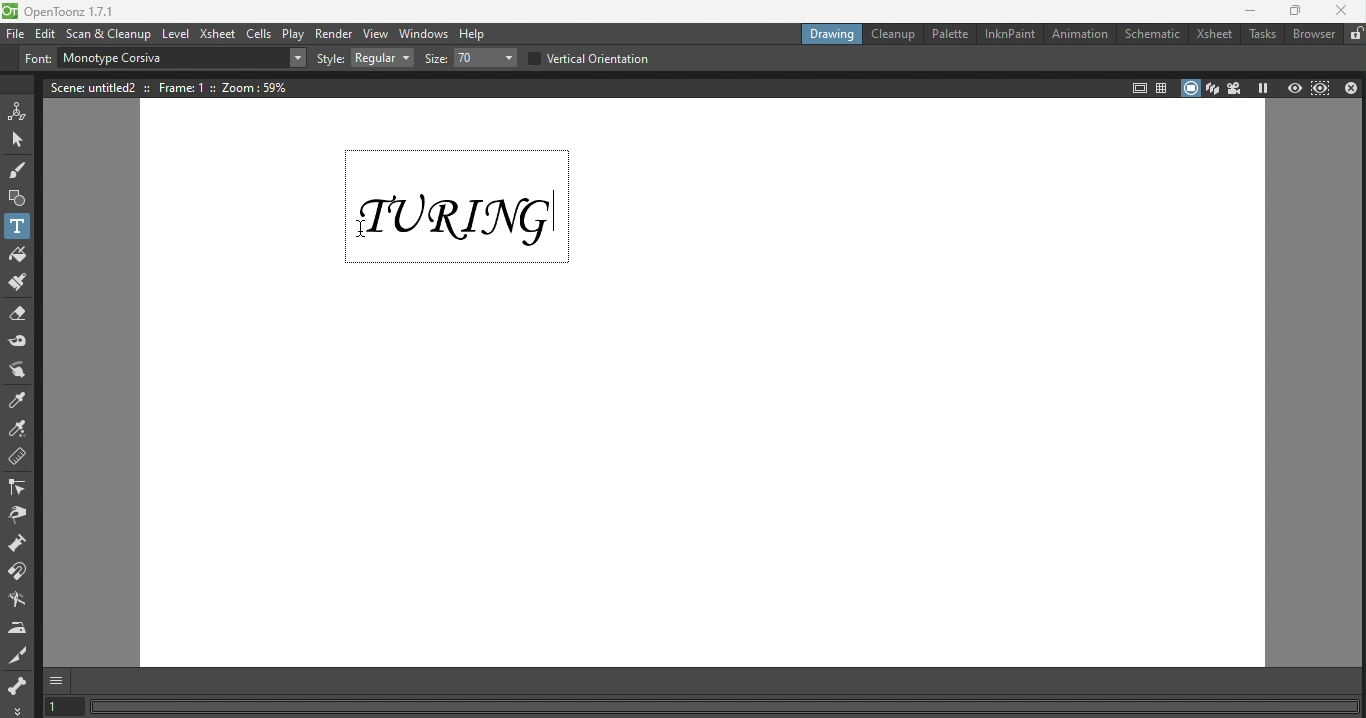  Describe the element at coordinates (19, 628) in the screenshot. I see `Iron tool` at that location.